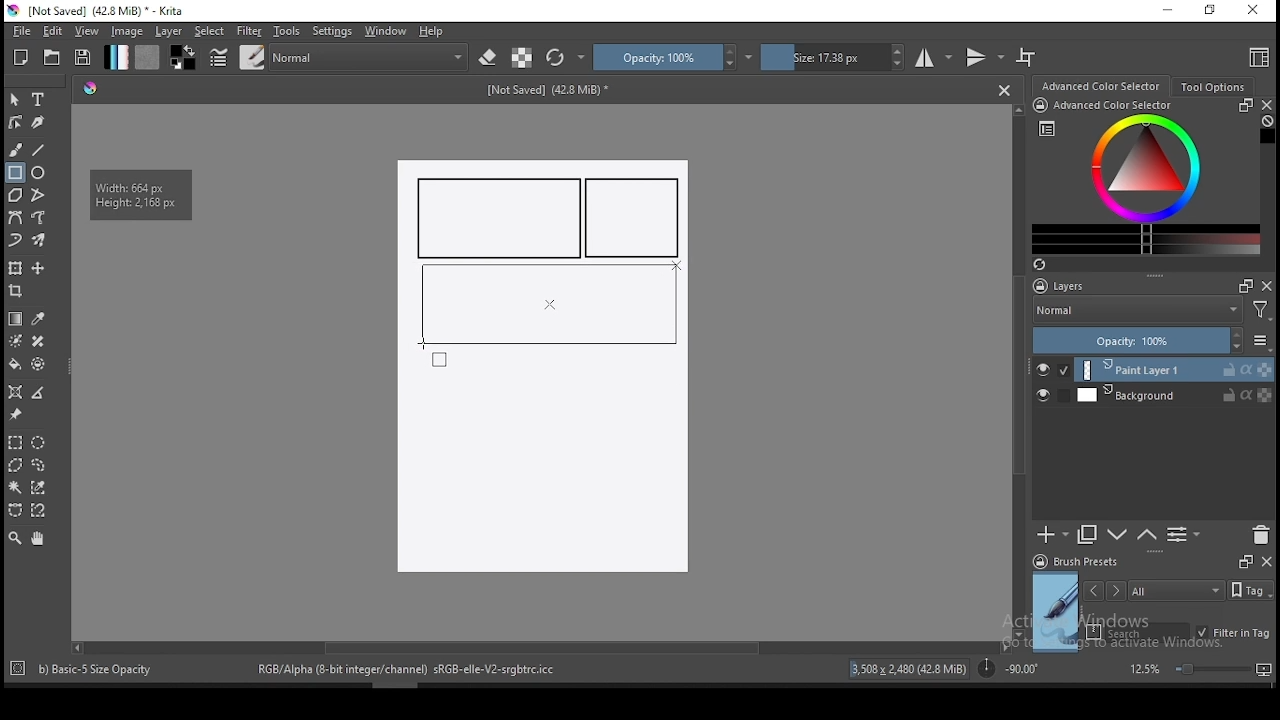  I want to click on edit, so click(52, 30).